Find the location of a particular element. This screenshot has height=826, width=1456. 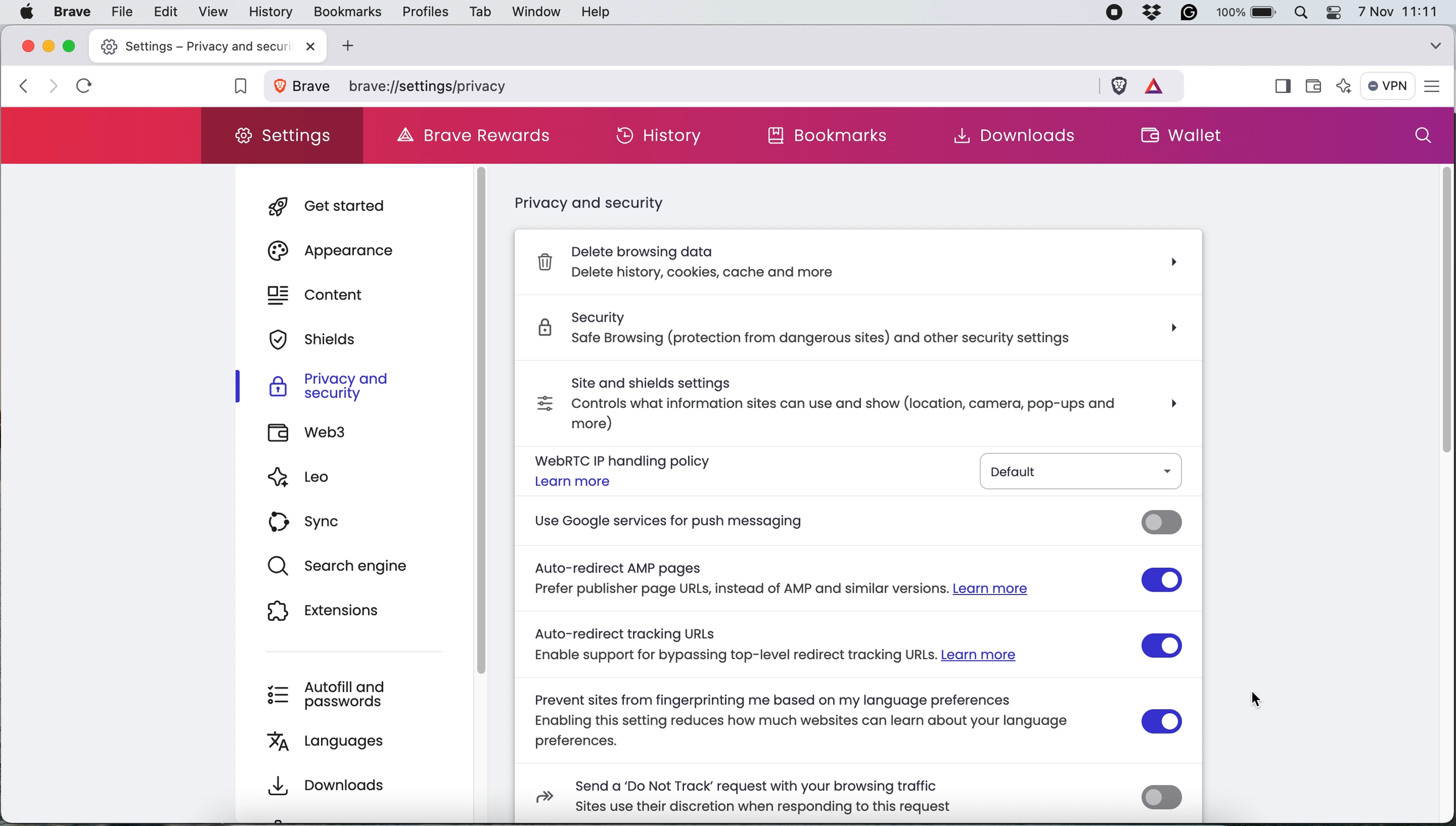

Learn more is located at coordinates (575, 481).